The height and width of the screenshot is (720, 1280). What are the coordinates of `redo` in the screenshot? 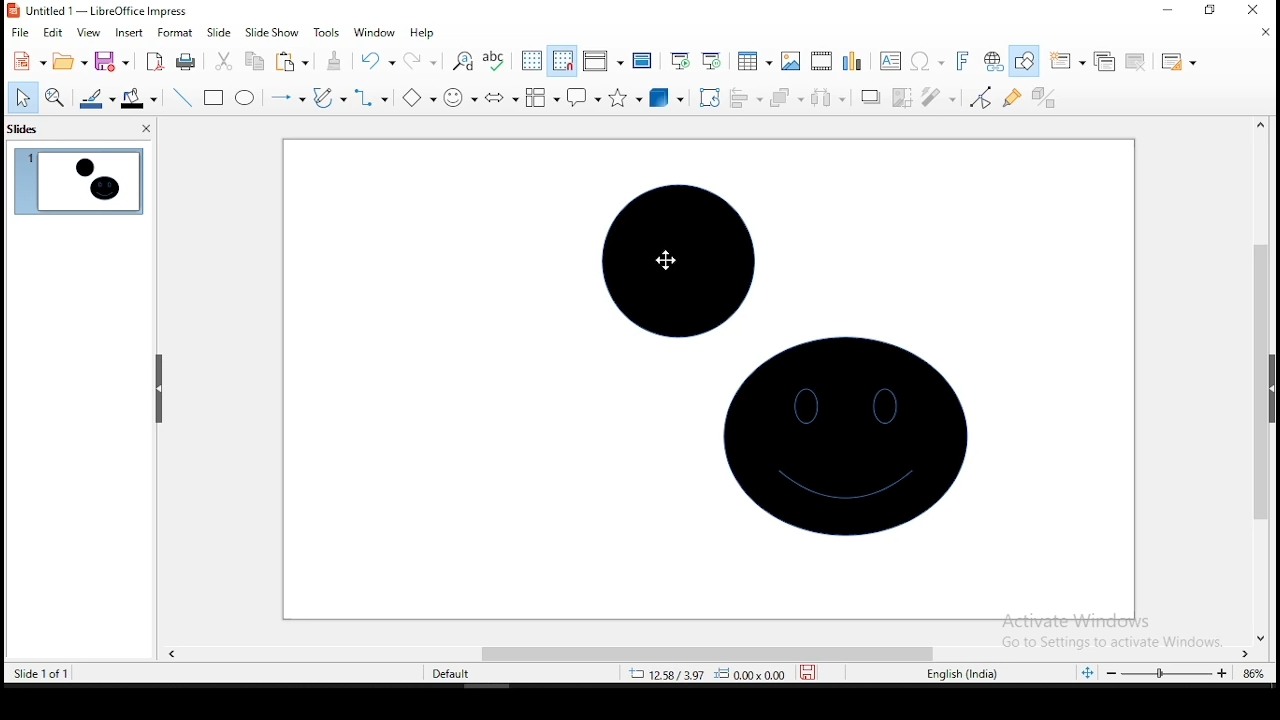 It's located at (422, 61).